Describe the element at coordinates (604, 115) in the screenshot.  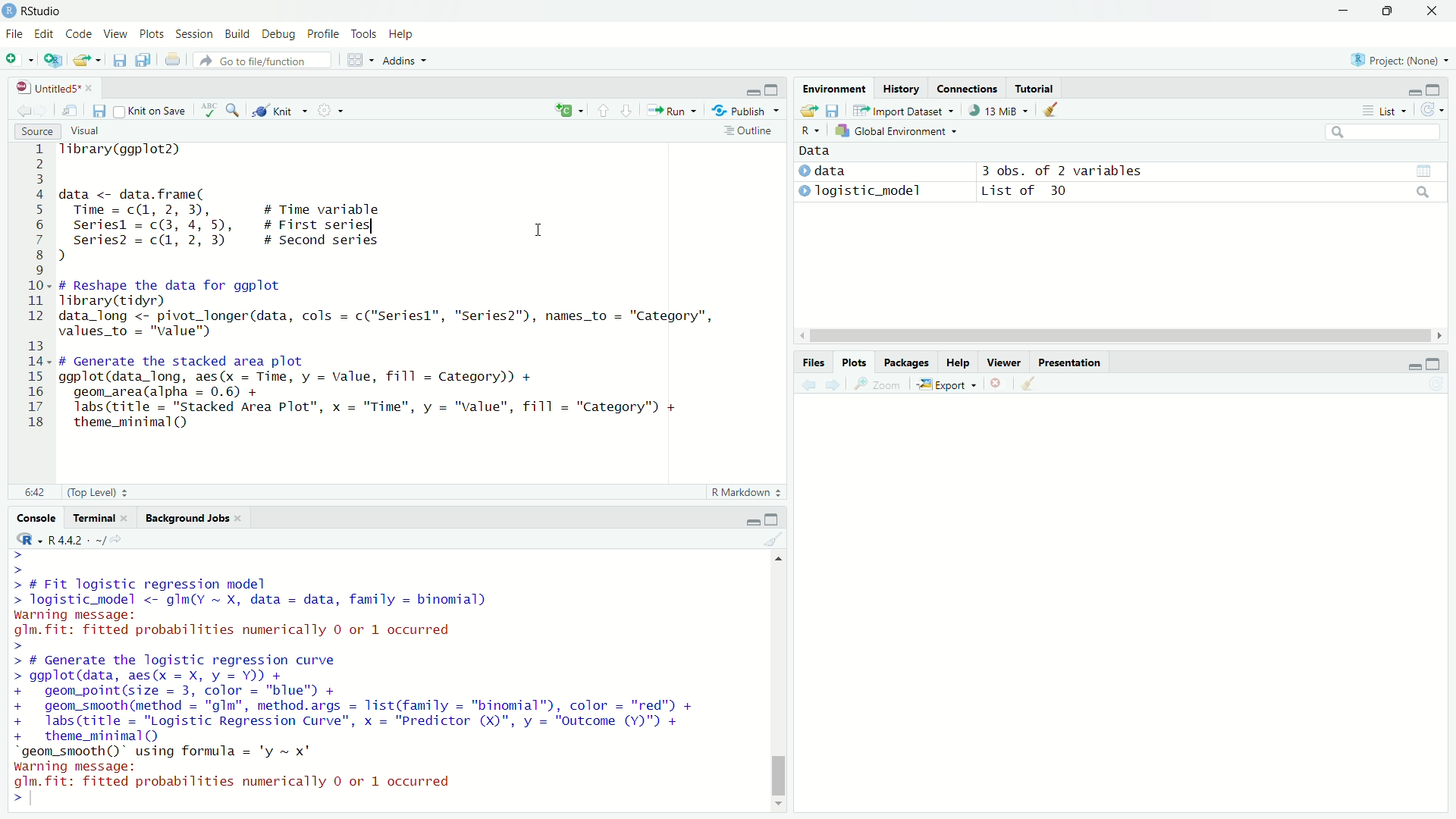
I see `upward` at that location.